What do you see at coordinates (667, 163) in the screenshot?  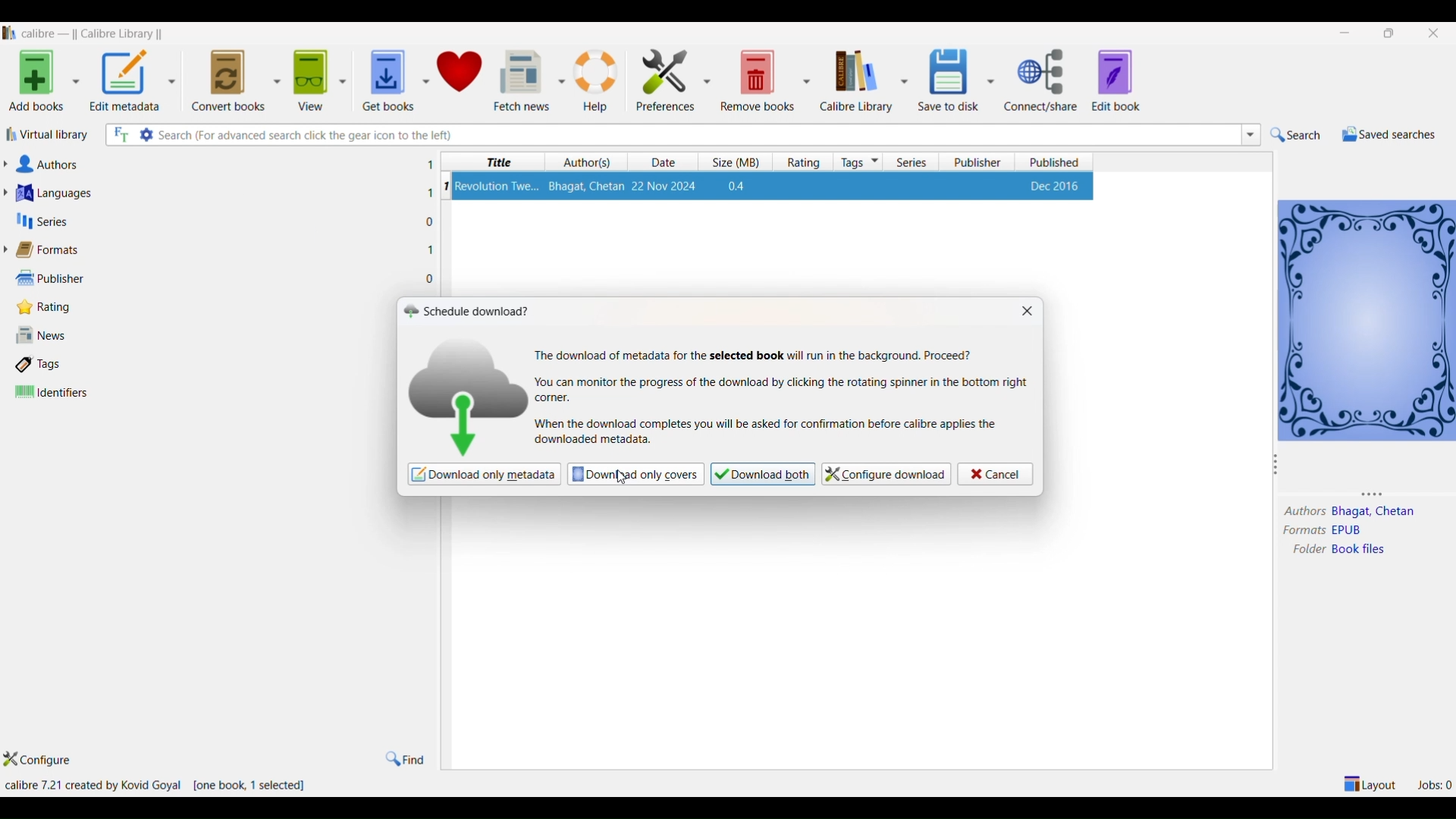 I see `date` at bounding box center [667, 163].